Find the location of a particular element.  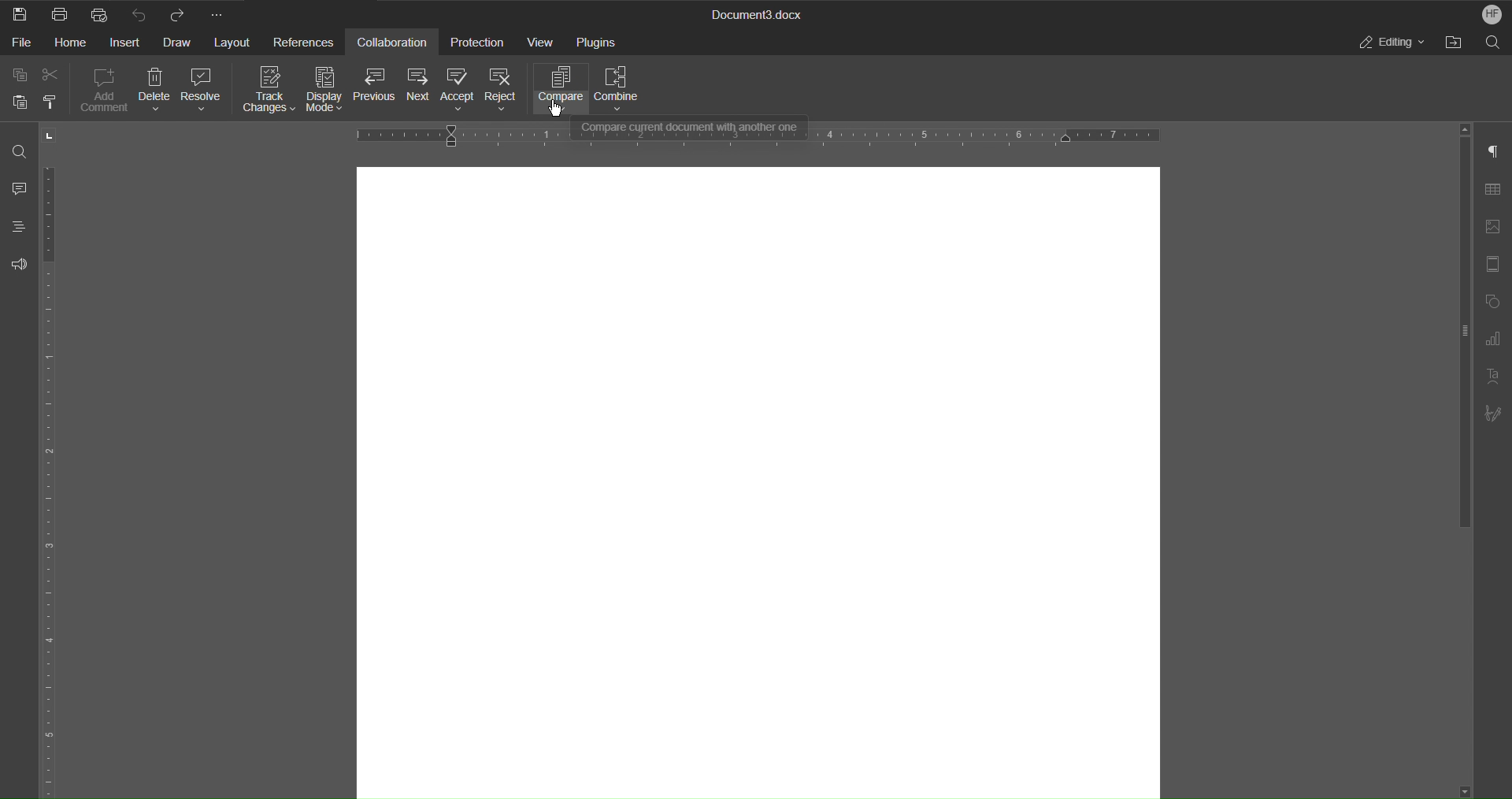

Table Settings is located at coordinates (1496, 188).